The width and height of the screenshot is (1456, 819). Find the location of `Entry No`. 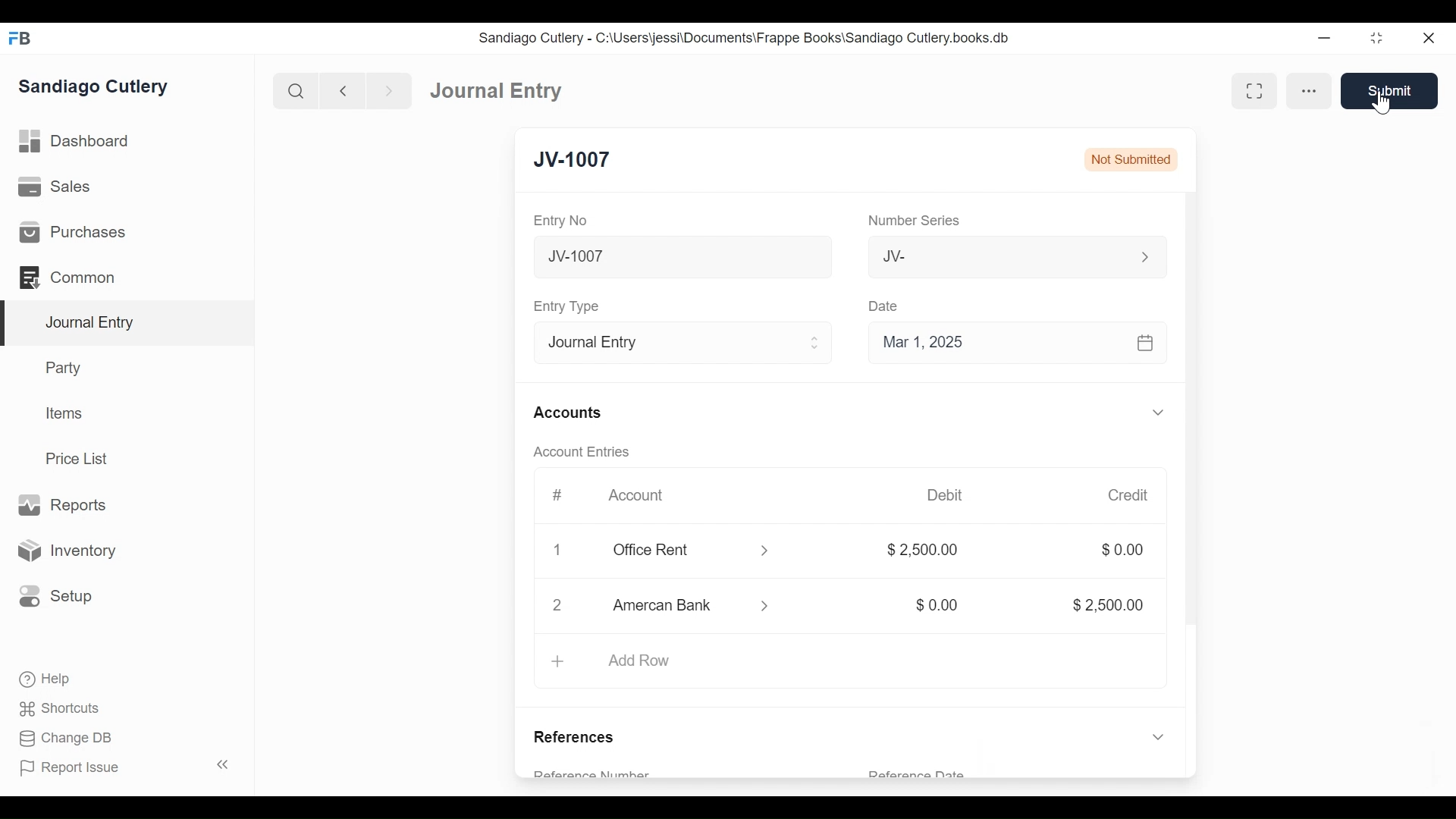

Entry No is located at coordinates (566, 221).